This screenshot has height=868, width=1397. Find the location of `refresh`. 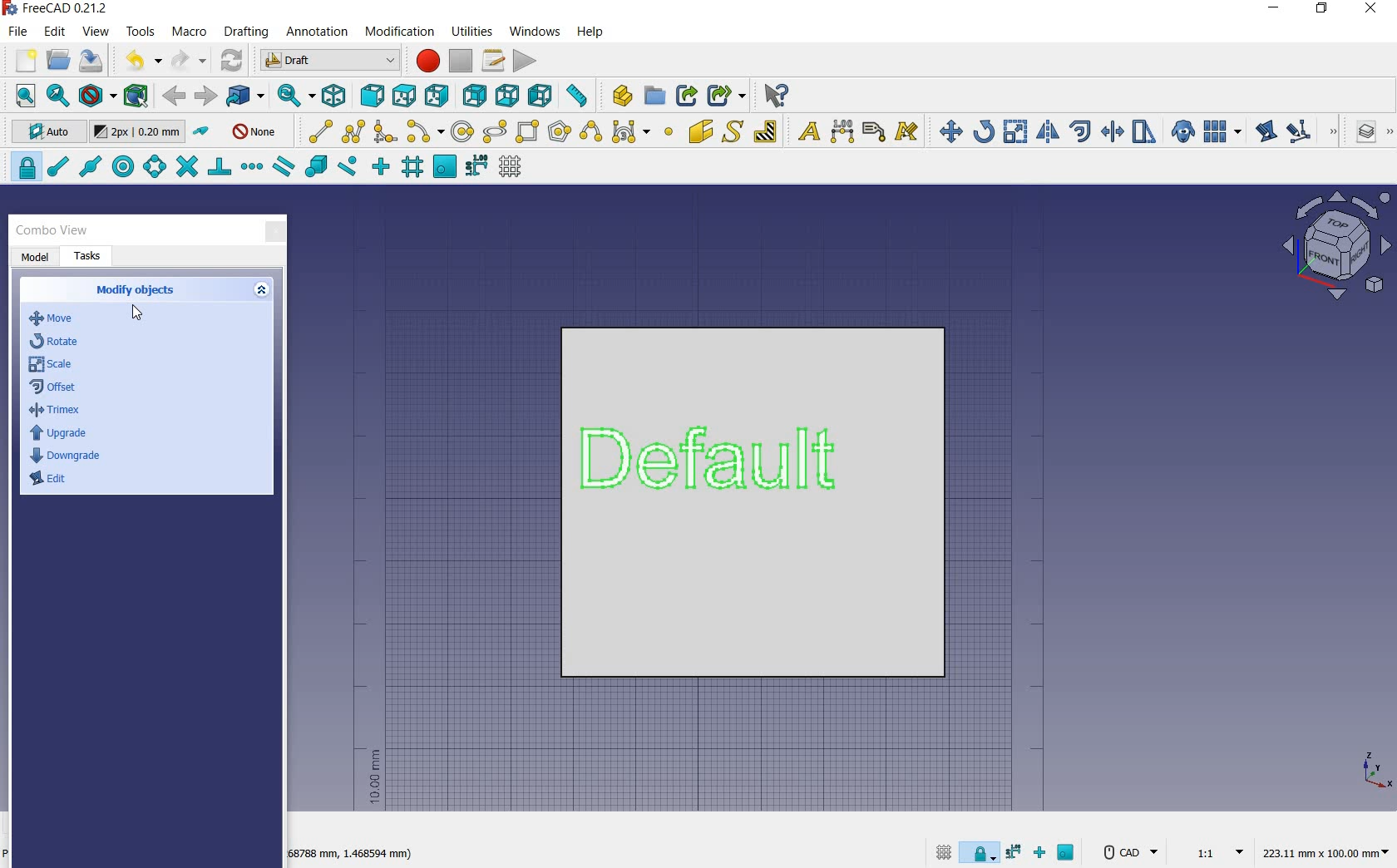

refresh is located at coordinates (233, 58).